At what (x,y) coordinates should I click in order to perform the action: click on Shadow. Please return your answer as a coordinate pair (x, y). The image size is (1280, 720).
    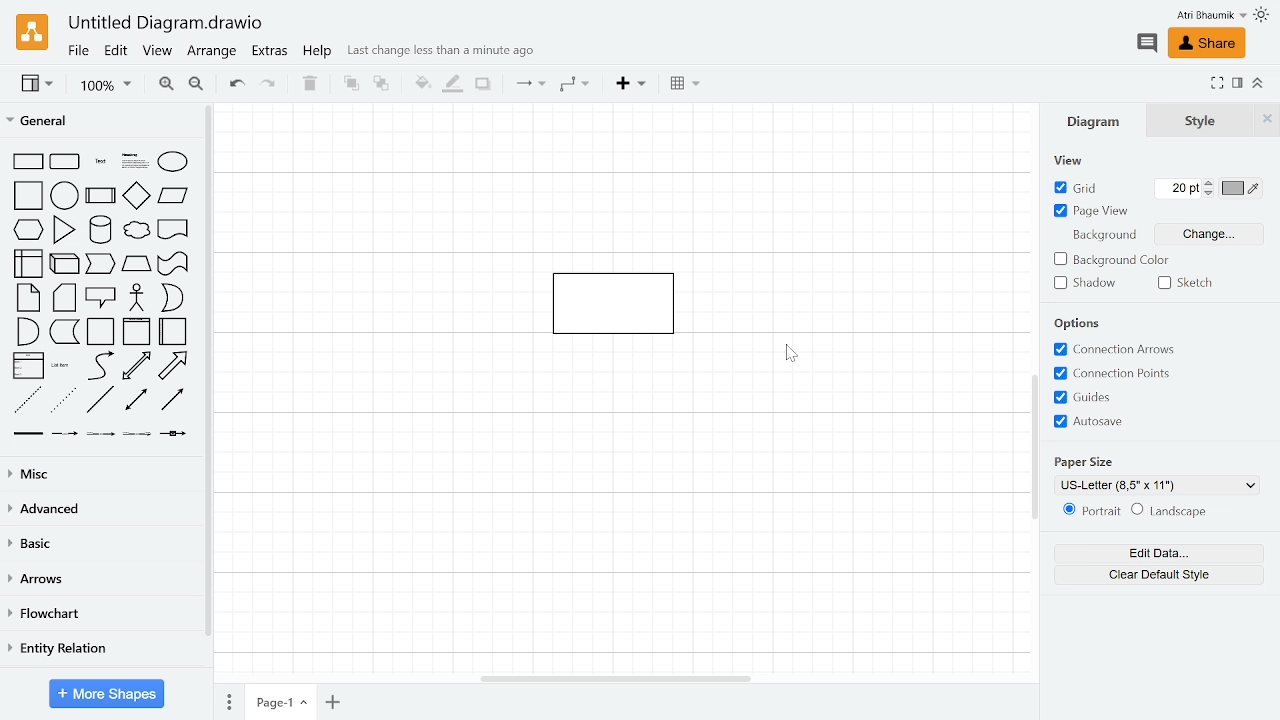
    Looking at the image, I should click on (1084, 283).